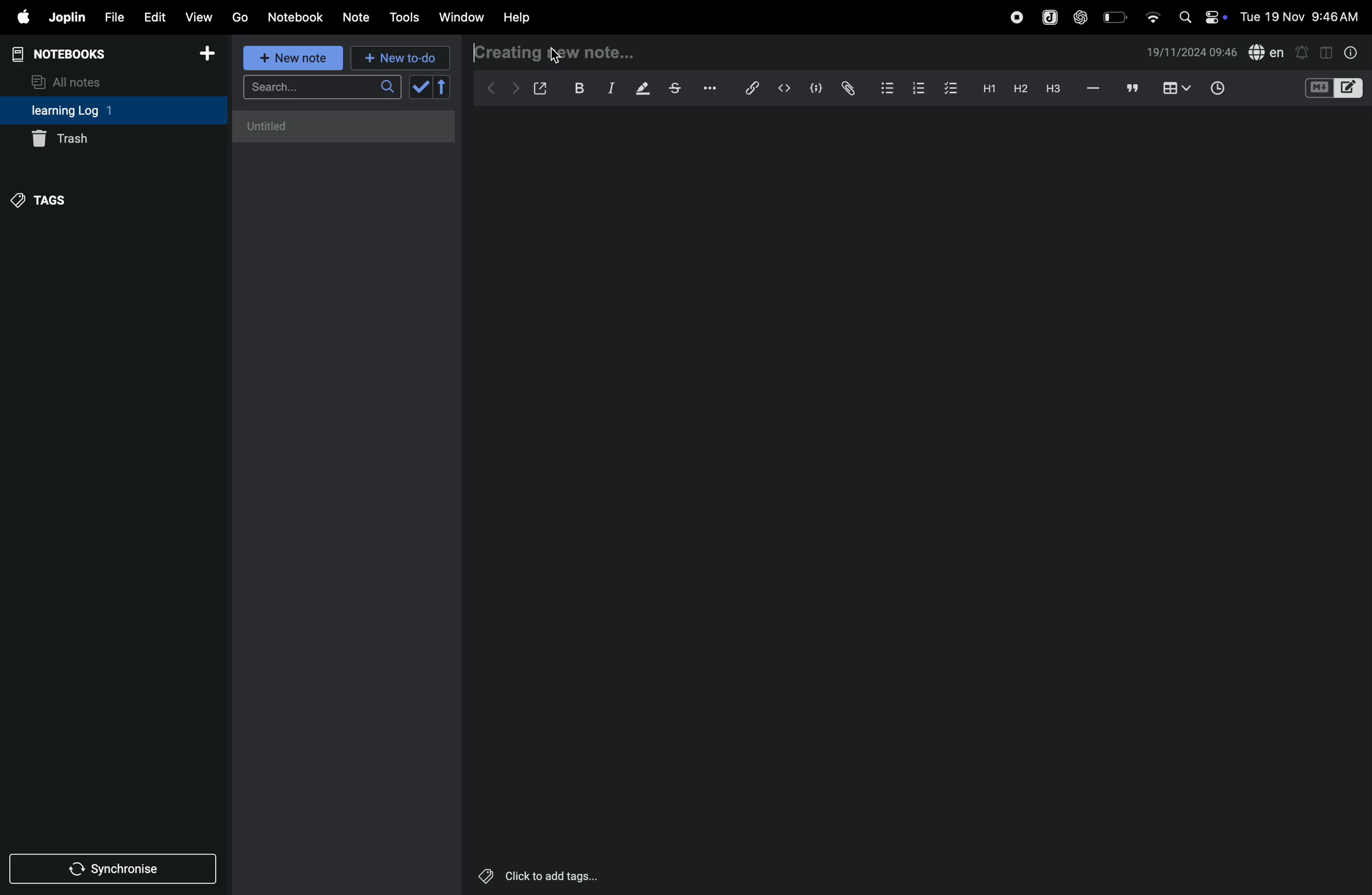  Describe the element at coordinates (552, 52) in the screenshot. I see `cursor` at that location.